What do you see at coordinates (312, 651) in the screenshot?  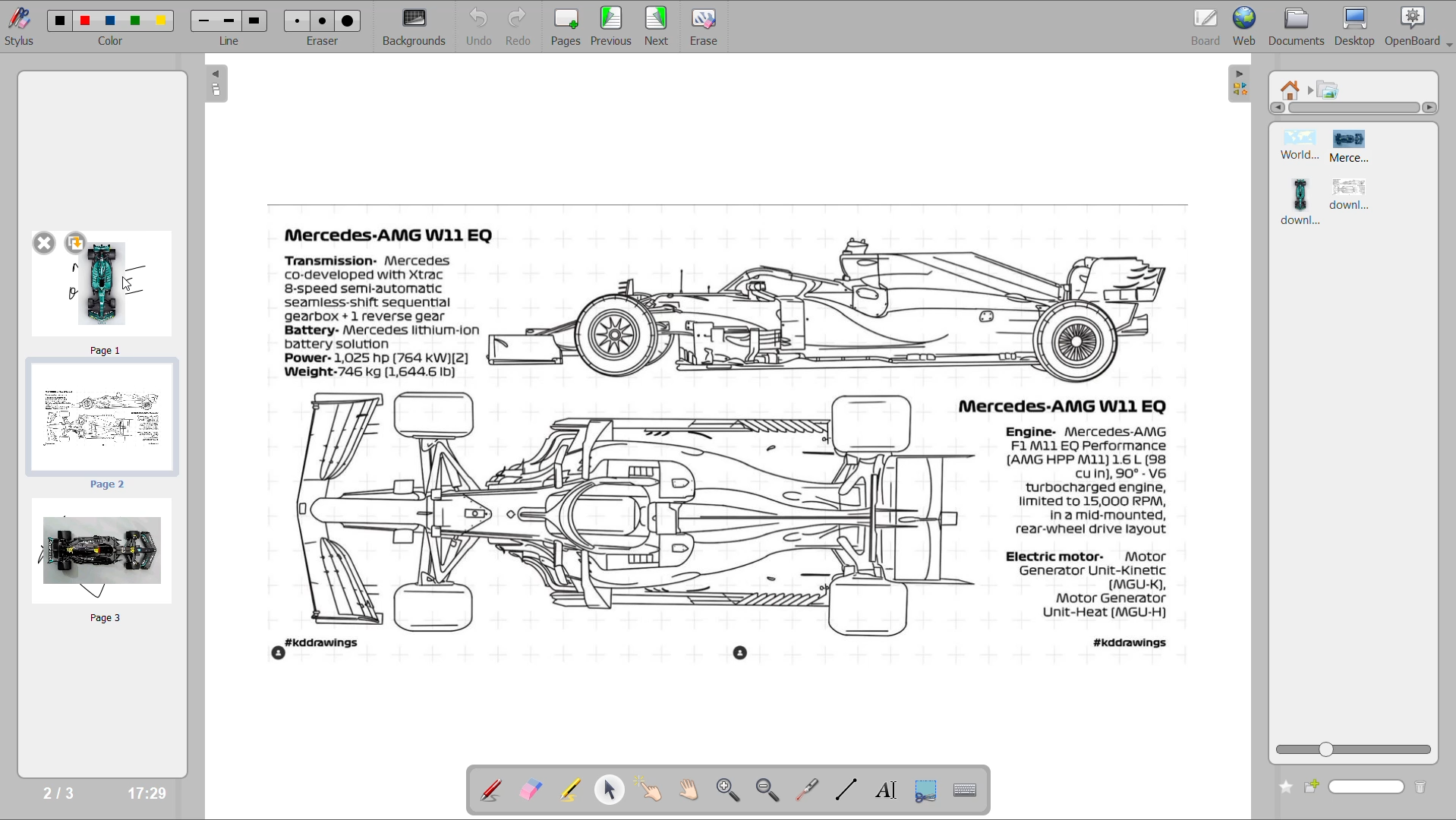 I see `#kddrawings` at bounding box center [312, 651].